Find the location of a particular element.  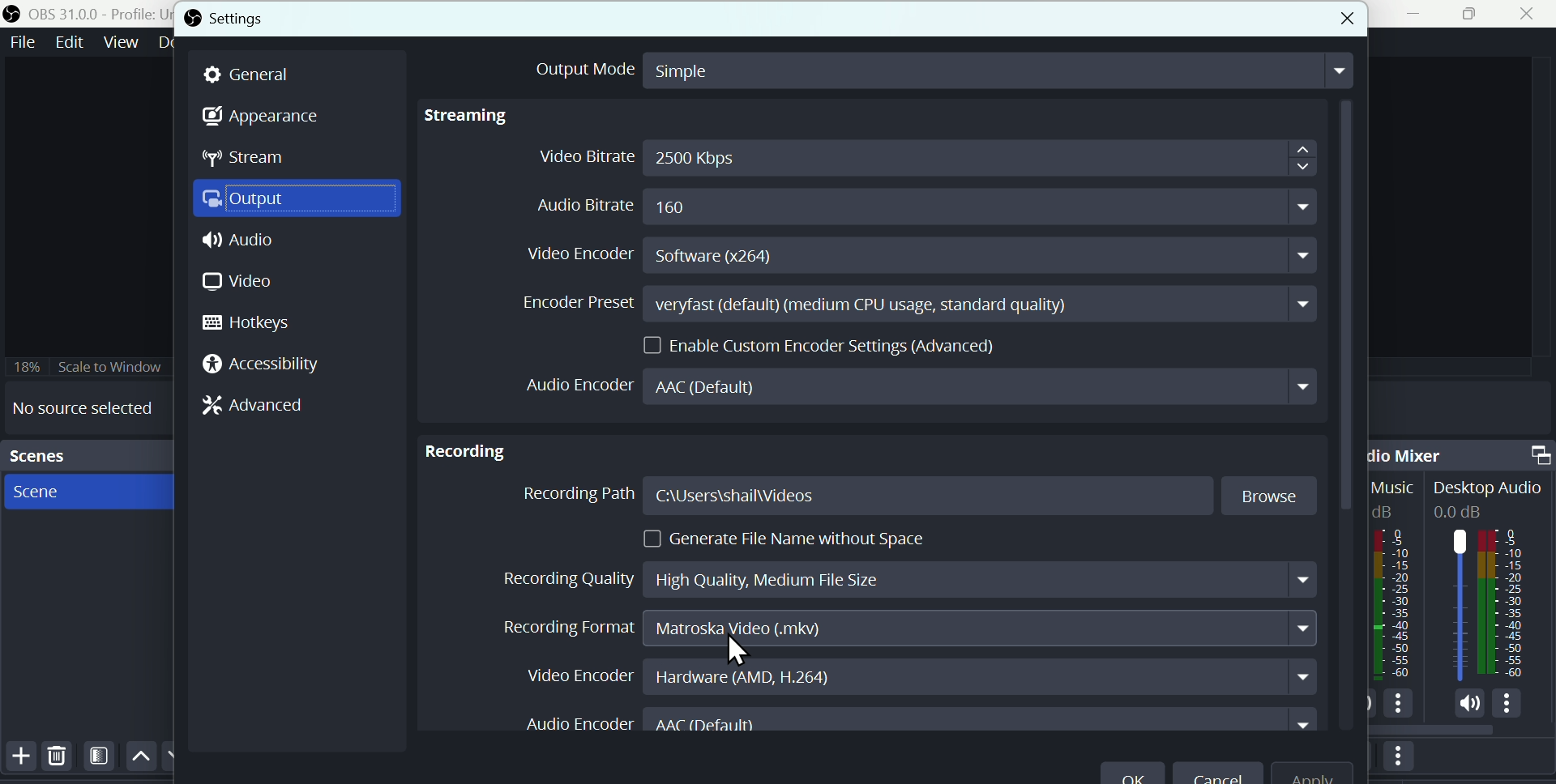

No source selected is located at coordinates (79, 409).